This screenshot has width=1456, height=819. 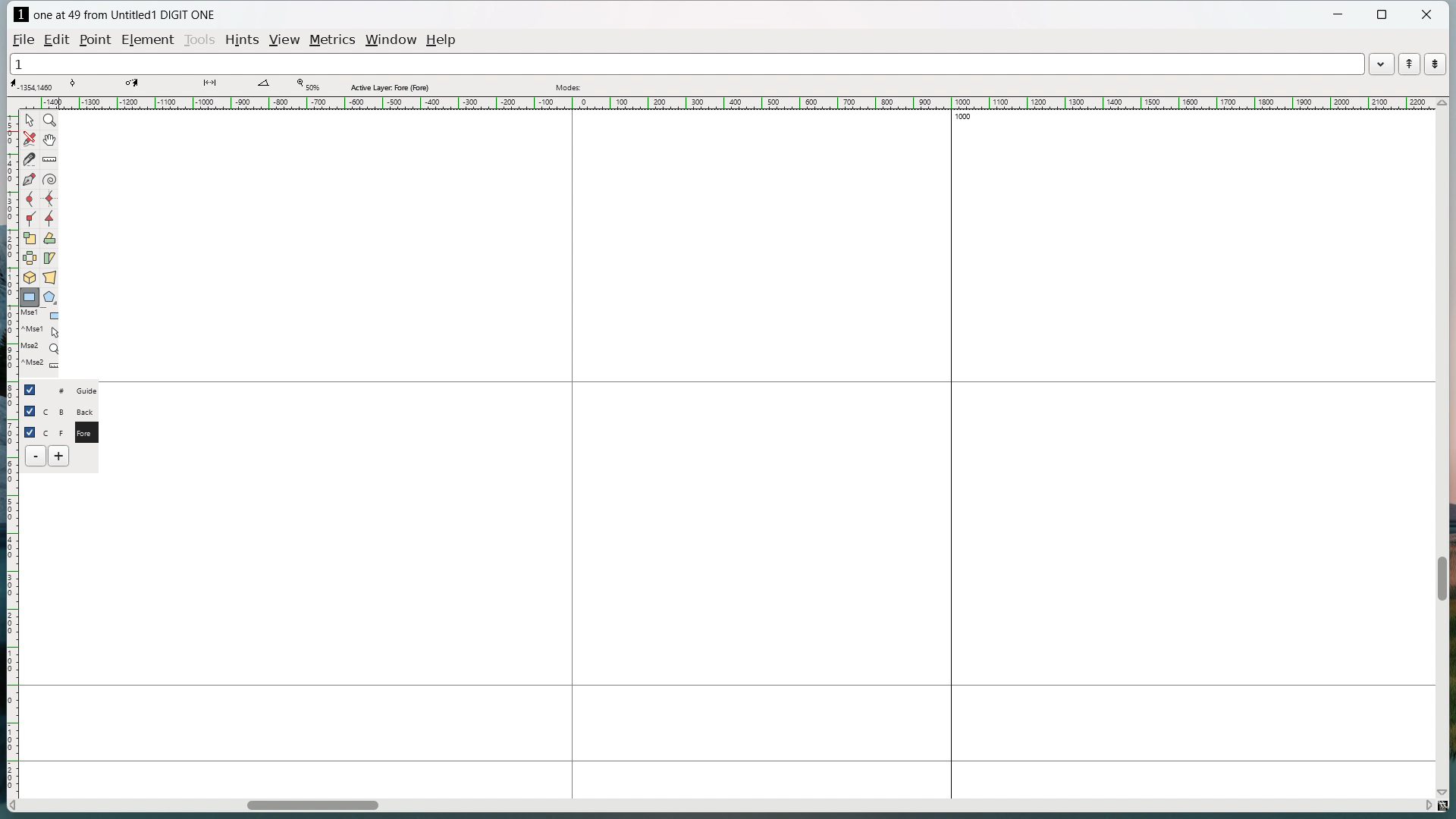 I want to click on vertical ruler, so click(x=11, y=446).